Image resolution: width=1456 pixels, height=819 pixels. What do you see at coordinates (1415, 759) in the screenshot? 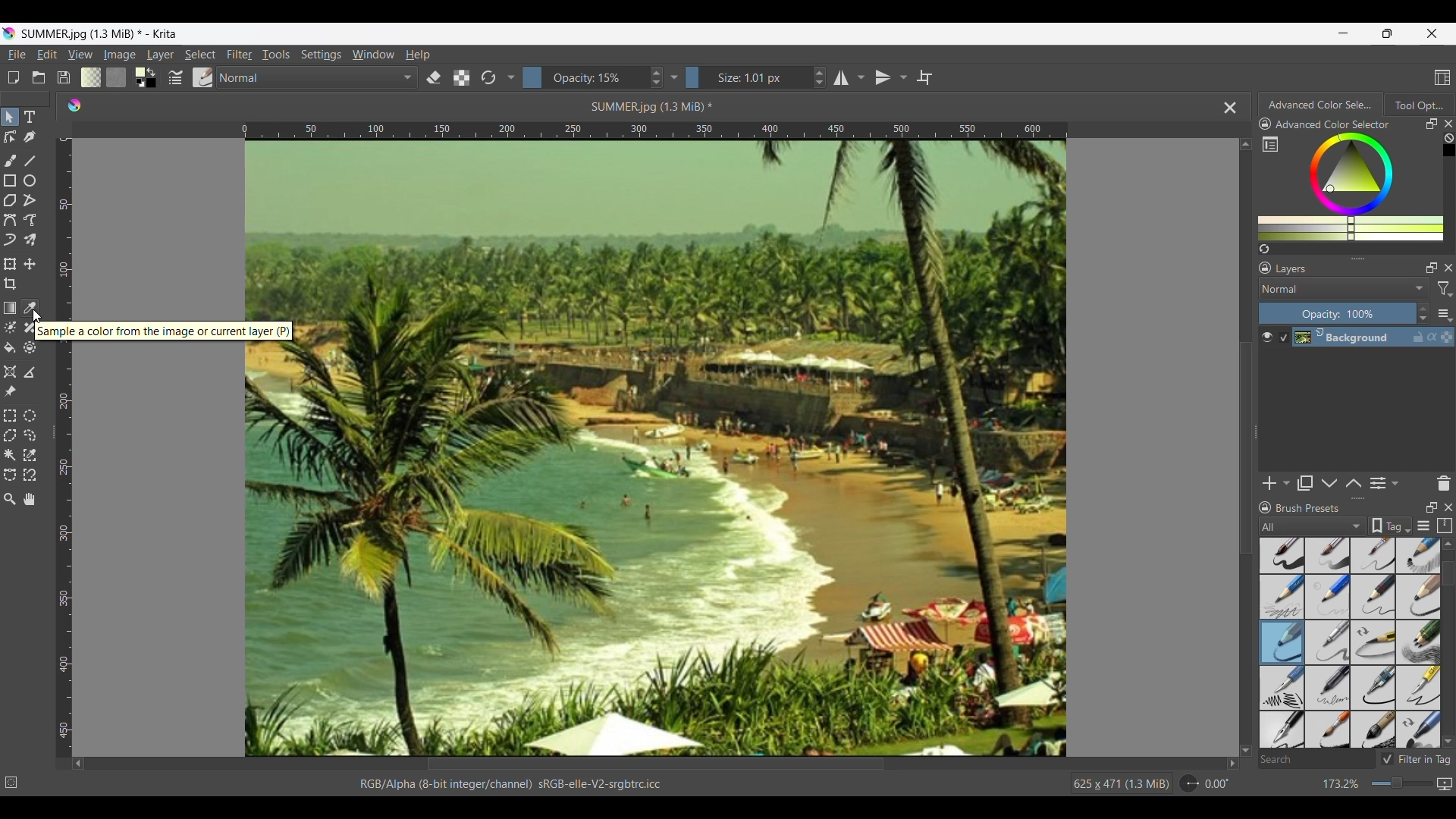
I see `Filter in Tag` at bounding box center [1415, 759].